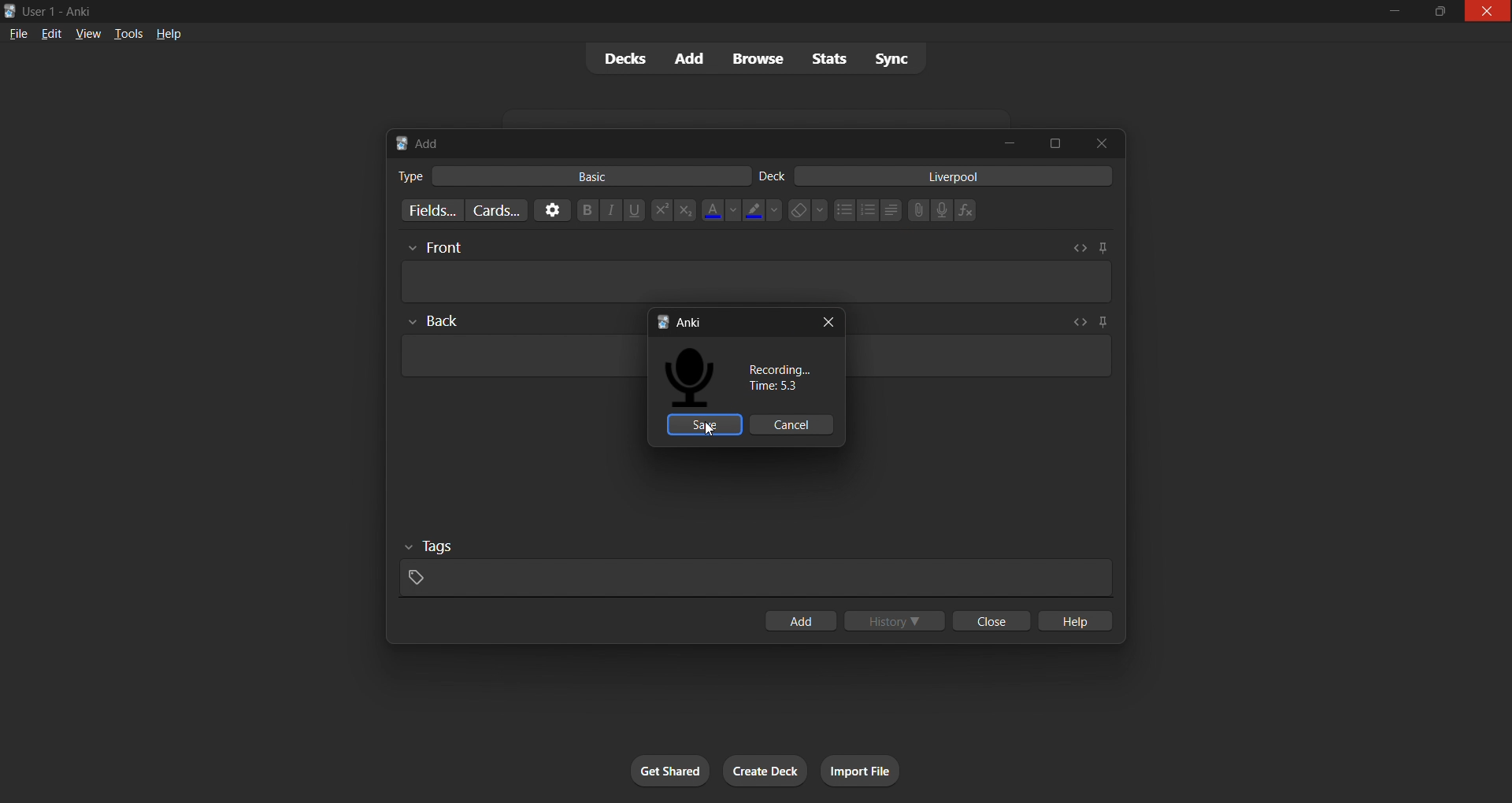  What do you see at coordinates (167, 31) in the screenshot?
I see `help` at bounding box center [167, 31].